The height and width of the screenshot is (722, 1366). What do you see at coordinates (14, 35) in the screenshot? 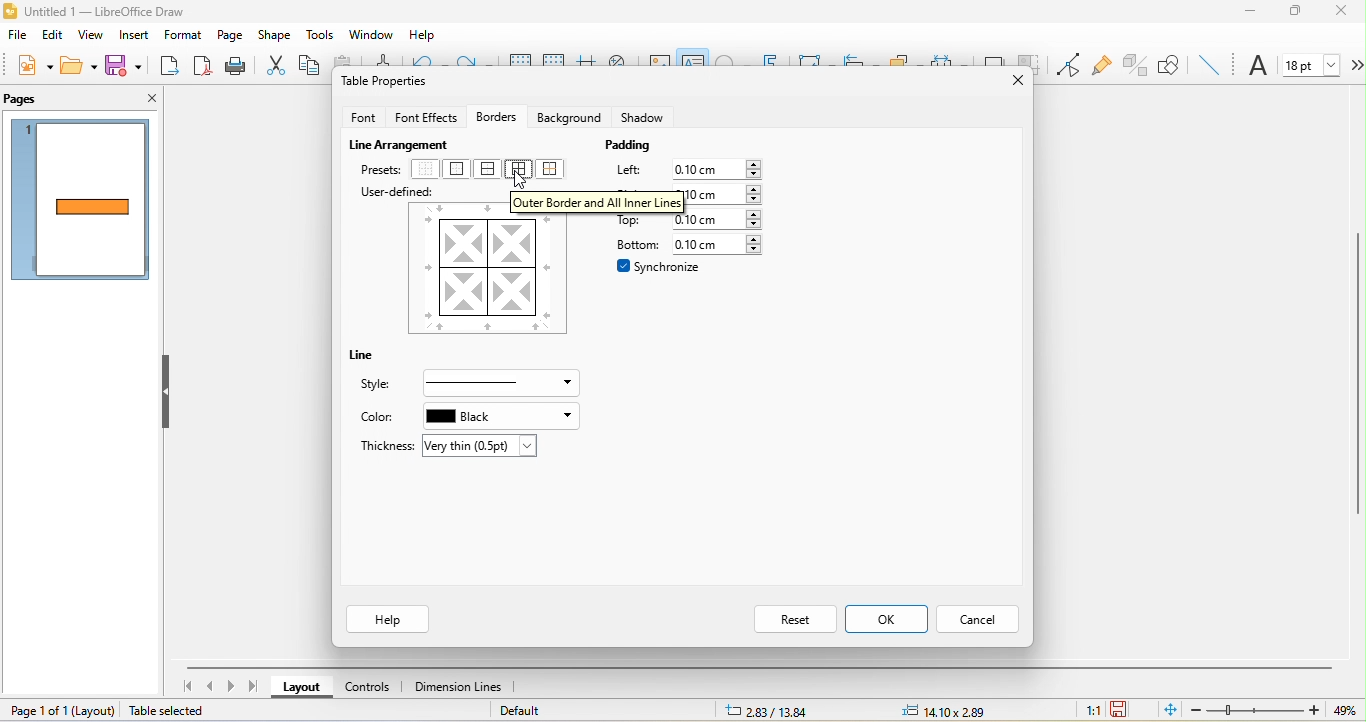
I see `file` at bounding box center [14, 35].